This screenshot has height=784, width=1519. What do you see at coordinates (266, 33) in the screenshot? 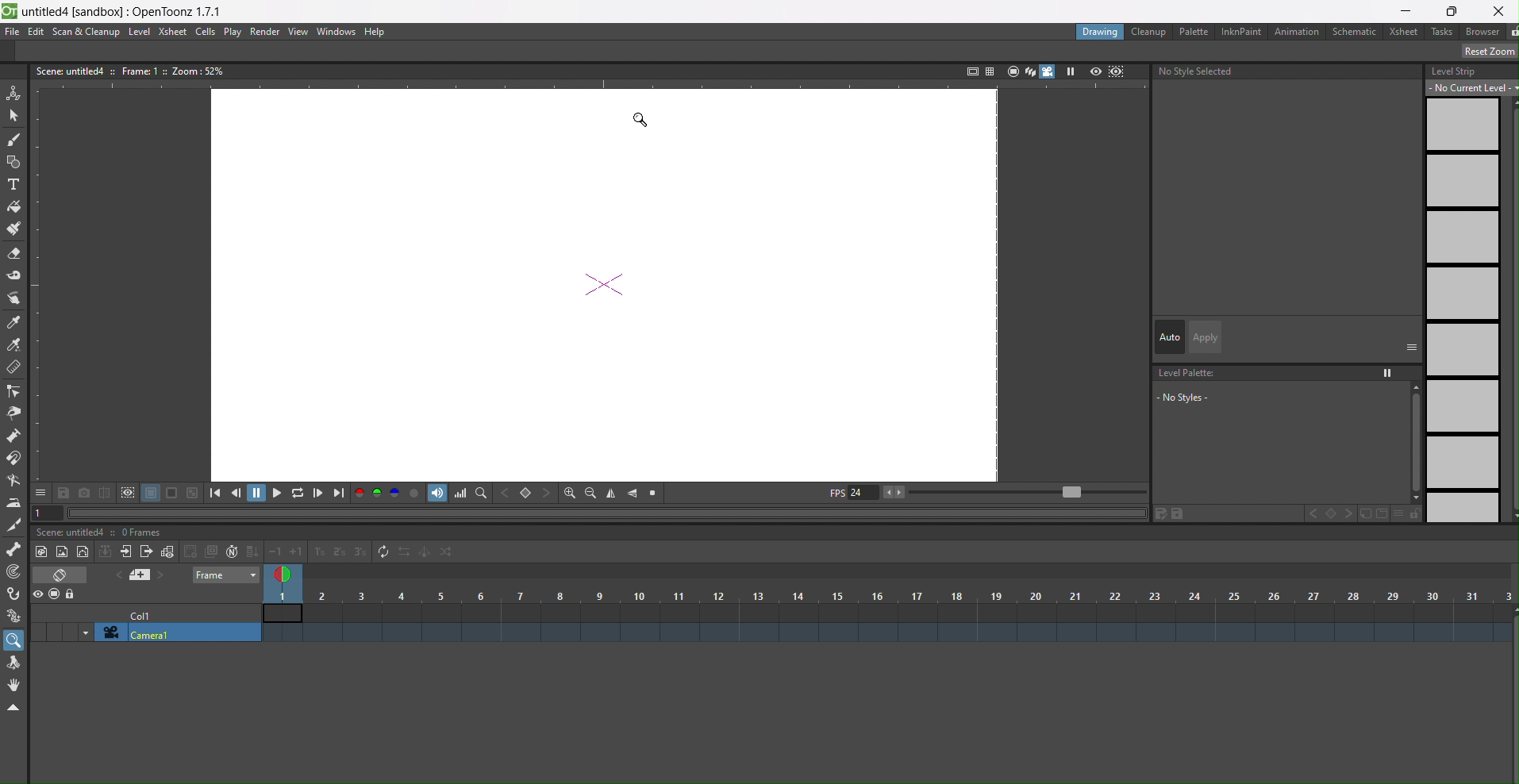
I see `render` at bounding box center [266, 33].